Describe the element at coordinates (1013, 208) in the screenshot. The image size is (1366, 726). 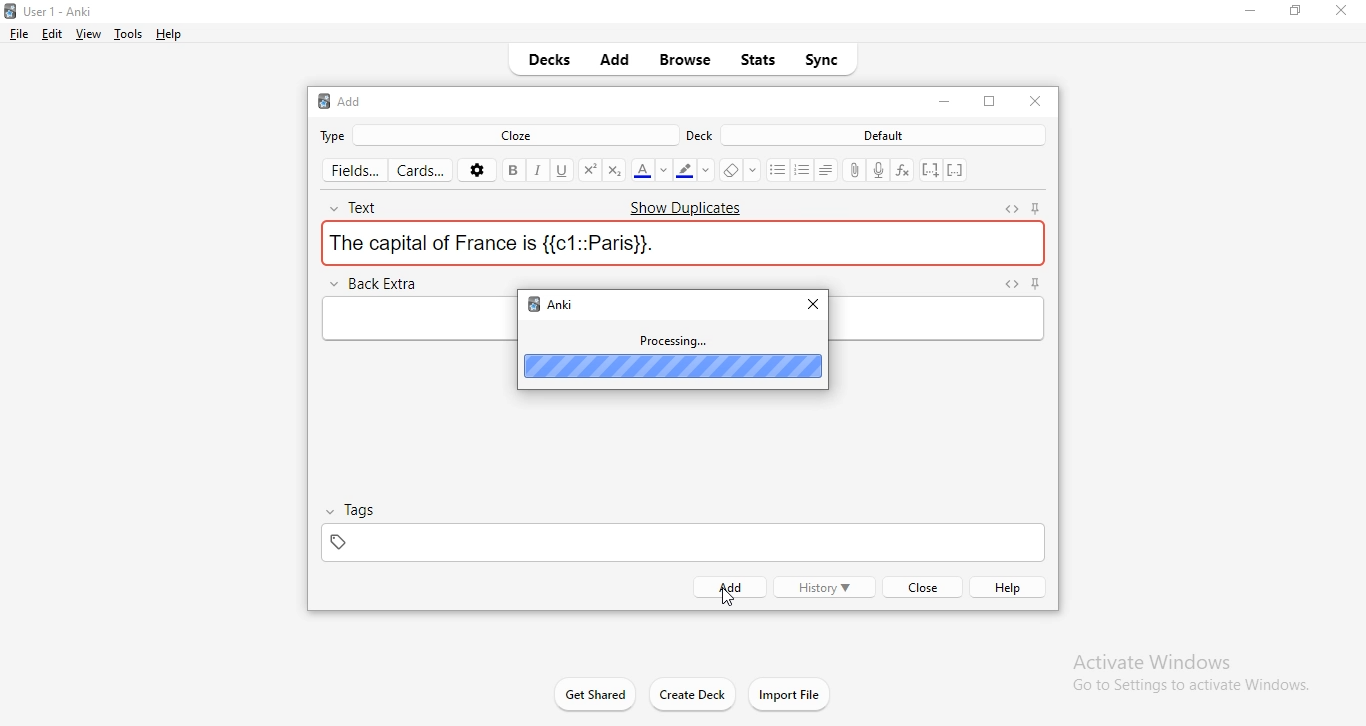
I see `<>expand` at that location.